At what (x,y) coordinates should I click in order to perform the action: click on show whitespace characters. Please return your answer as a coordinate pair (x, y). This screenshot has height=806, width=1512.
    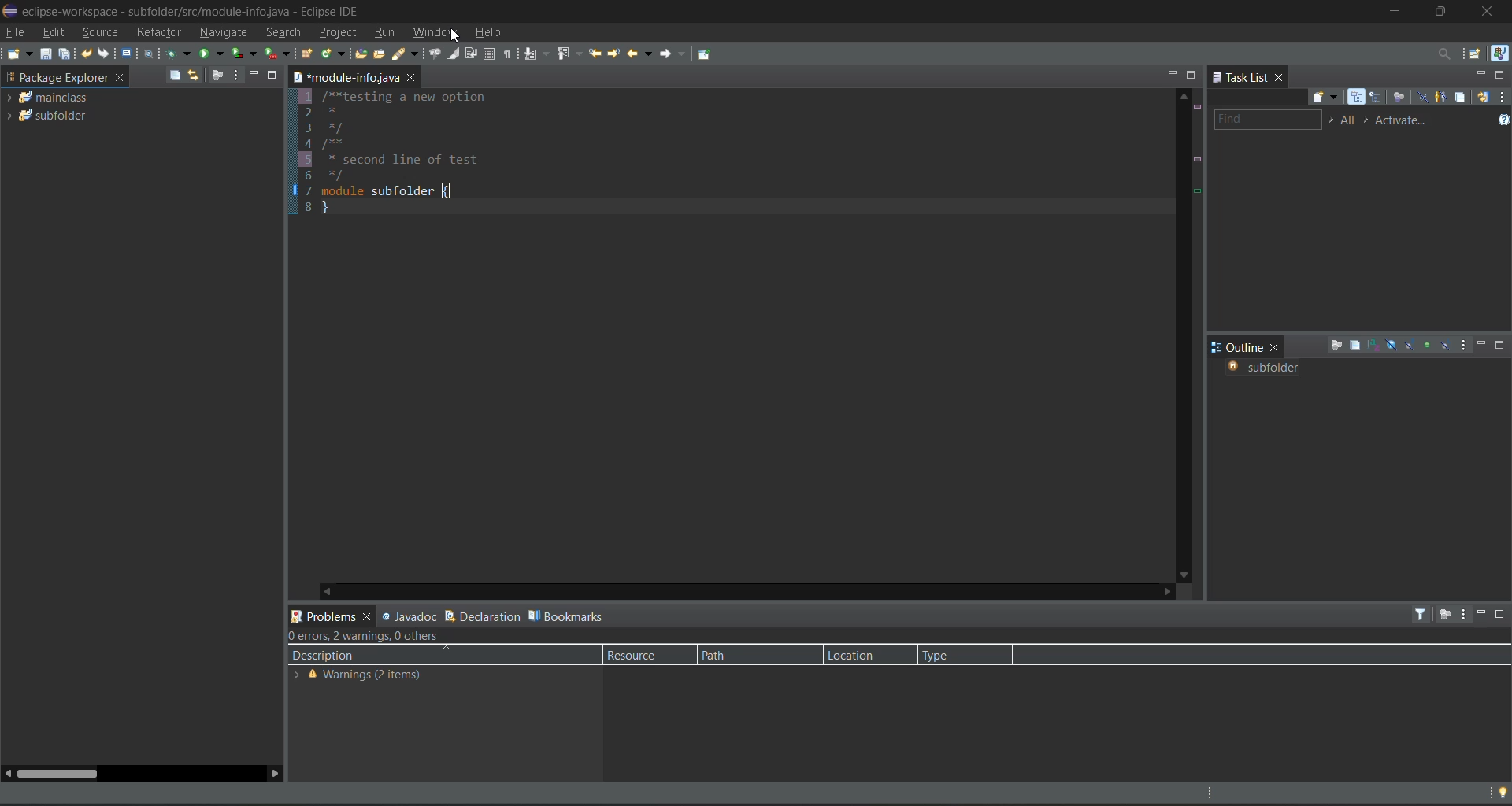
    Looking at the image, I should click on (510, 54).